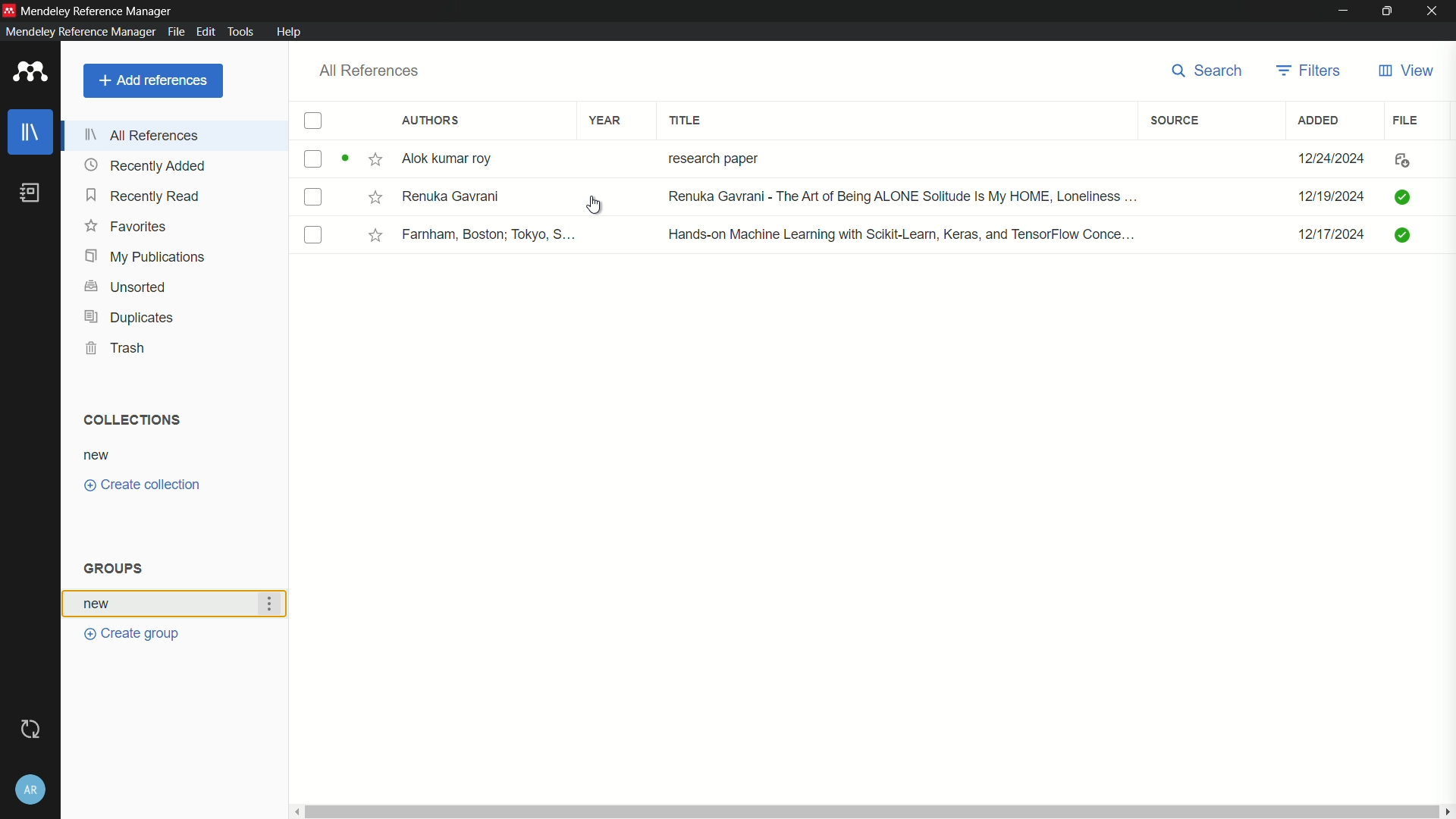 The height and width of the screenshot is (819, 1456). I want to click on help menu, so click(290, 32).